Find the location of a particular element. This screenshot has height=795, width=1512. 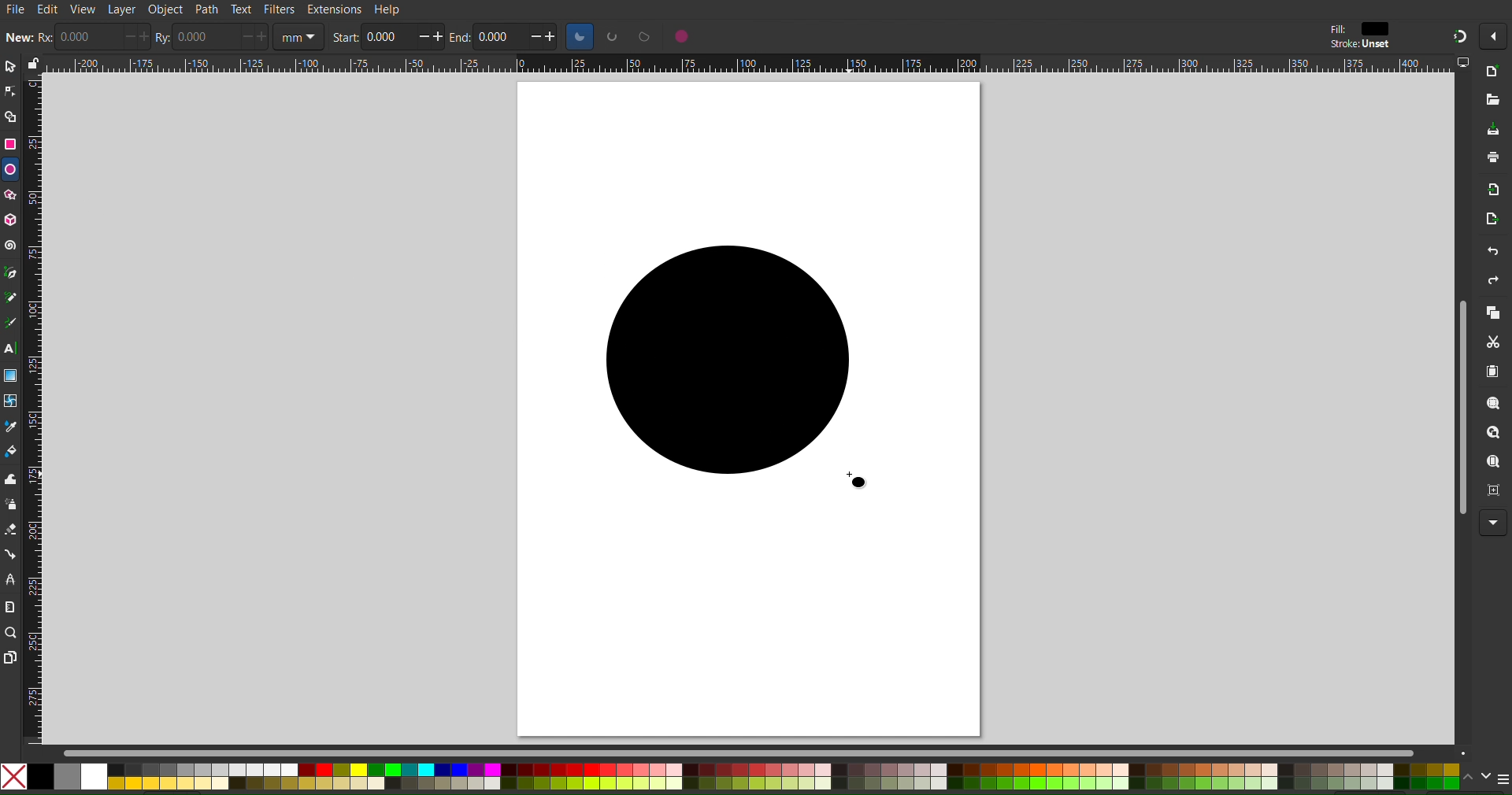

Redo is located at coordinates (1493, 280).